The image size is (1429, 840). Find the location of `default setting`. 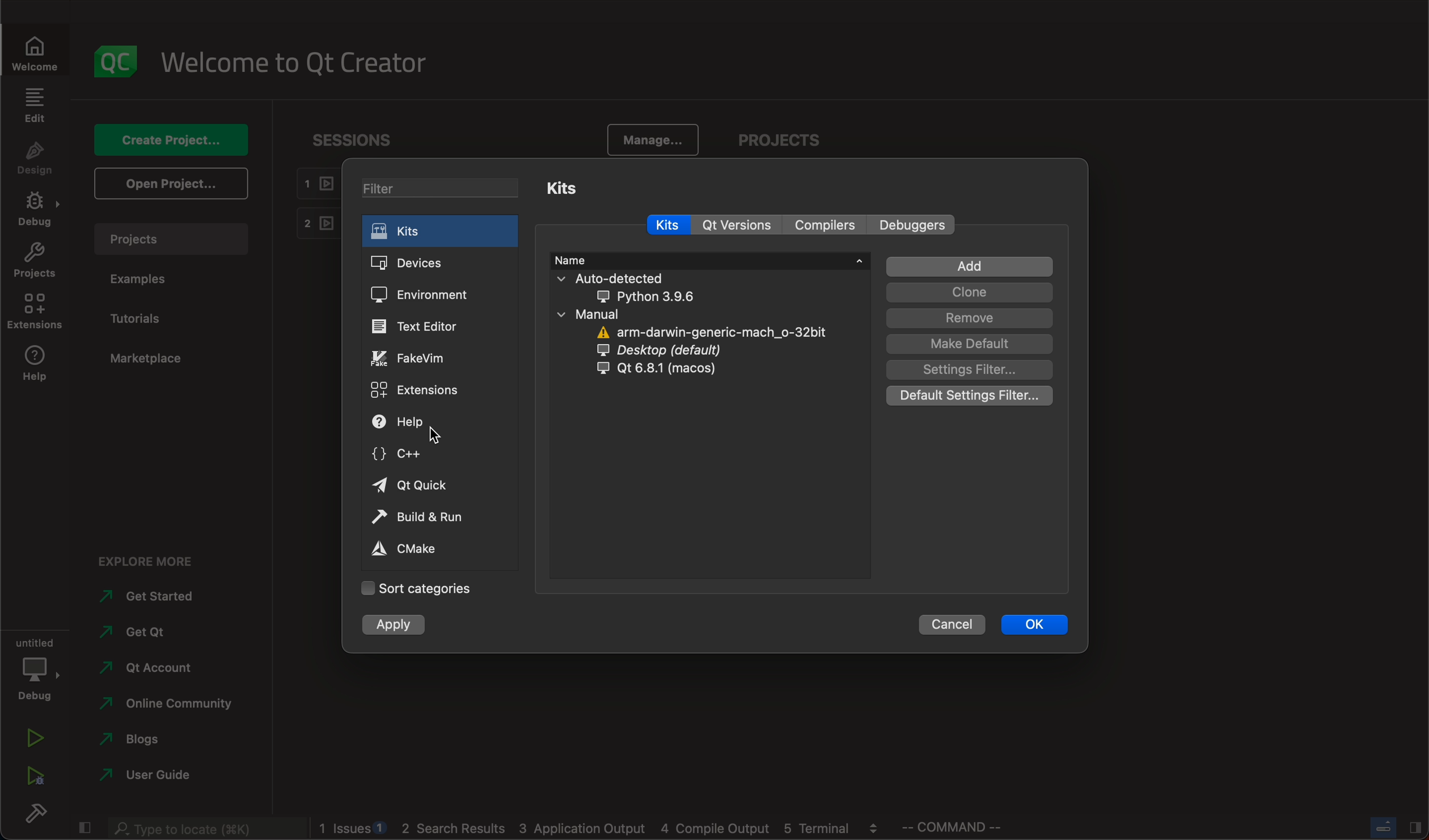

default setting is located at coordinates (969, 396).